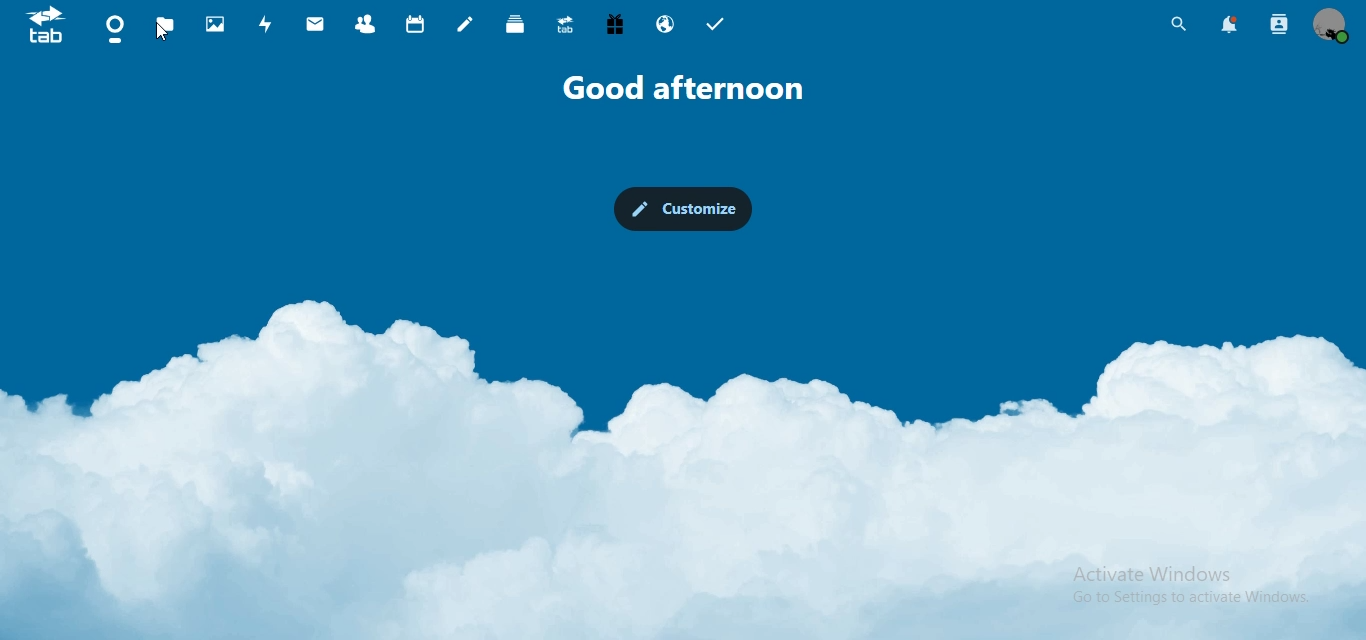 The width and height of the screenshot is (1366, 640). I want to click on search, so click(1176, 22).